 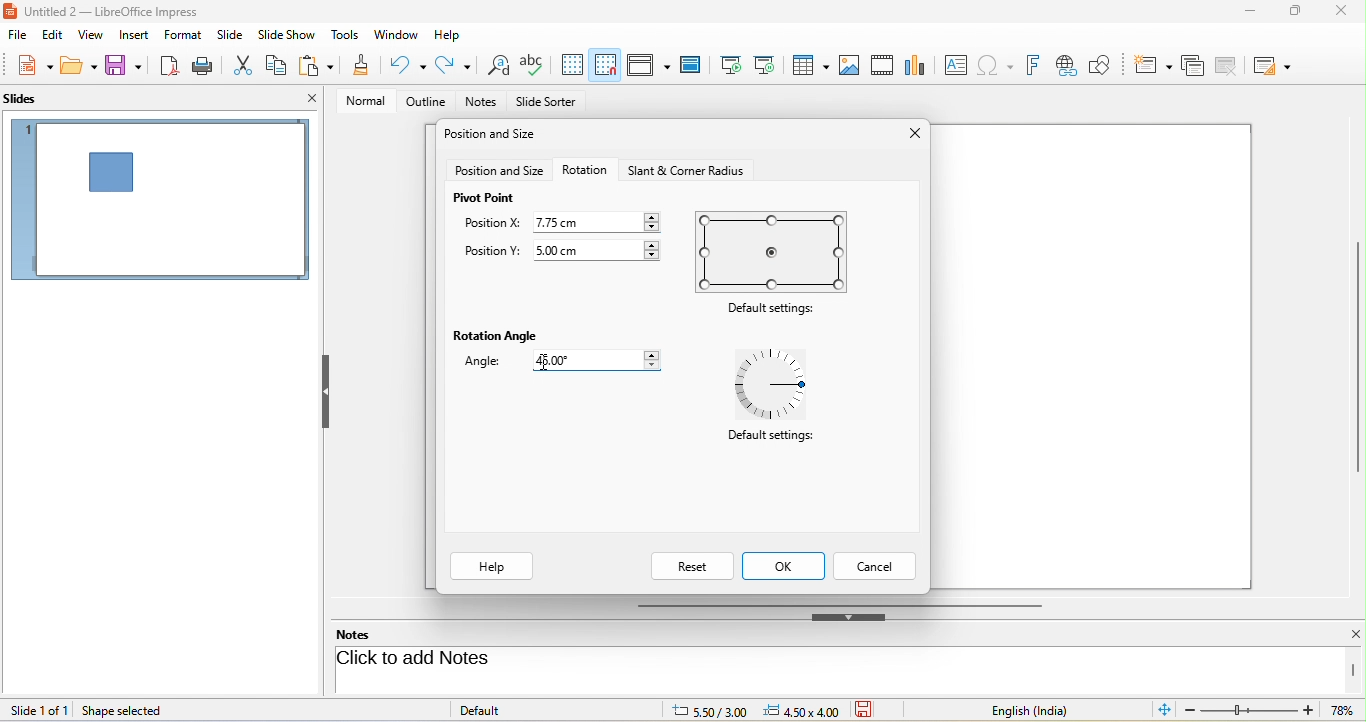 I want to click on default settings, so click(x=777, y=385).